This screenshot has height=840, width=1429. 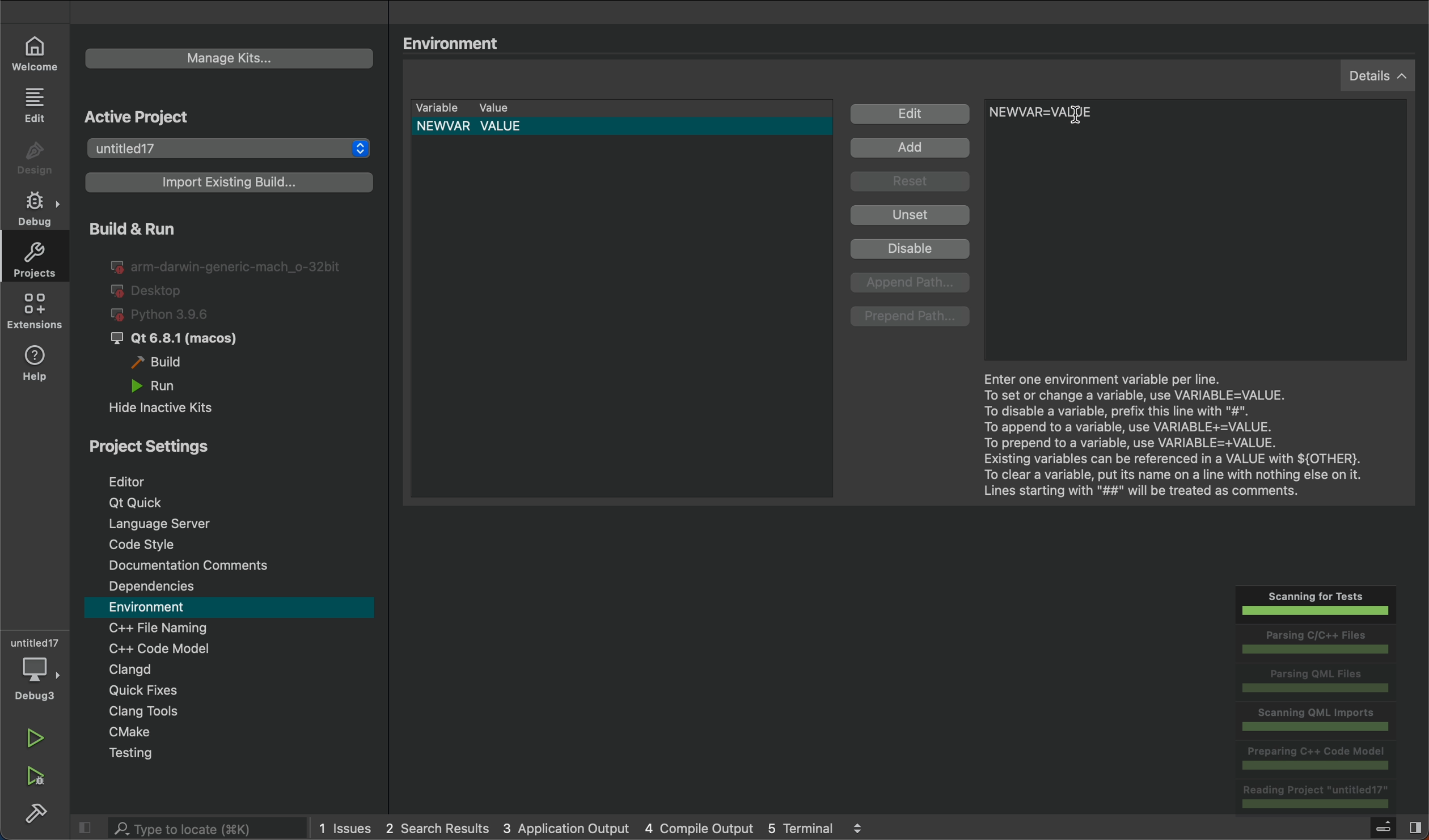 What do you see at coordinates (231, 149) in the screenshot?
I see `projects` at bounding box center [231, 149].